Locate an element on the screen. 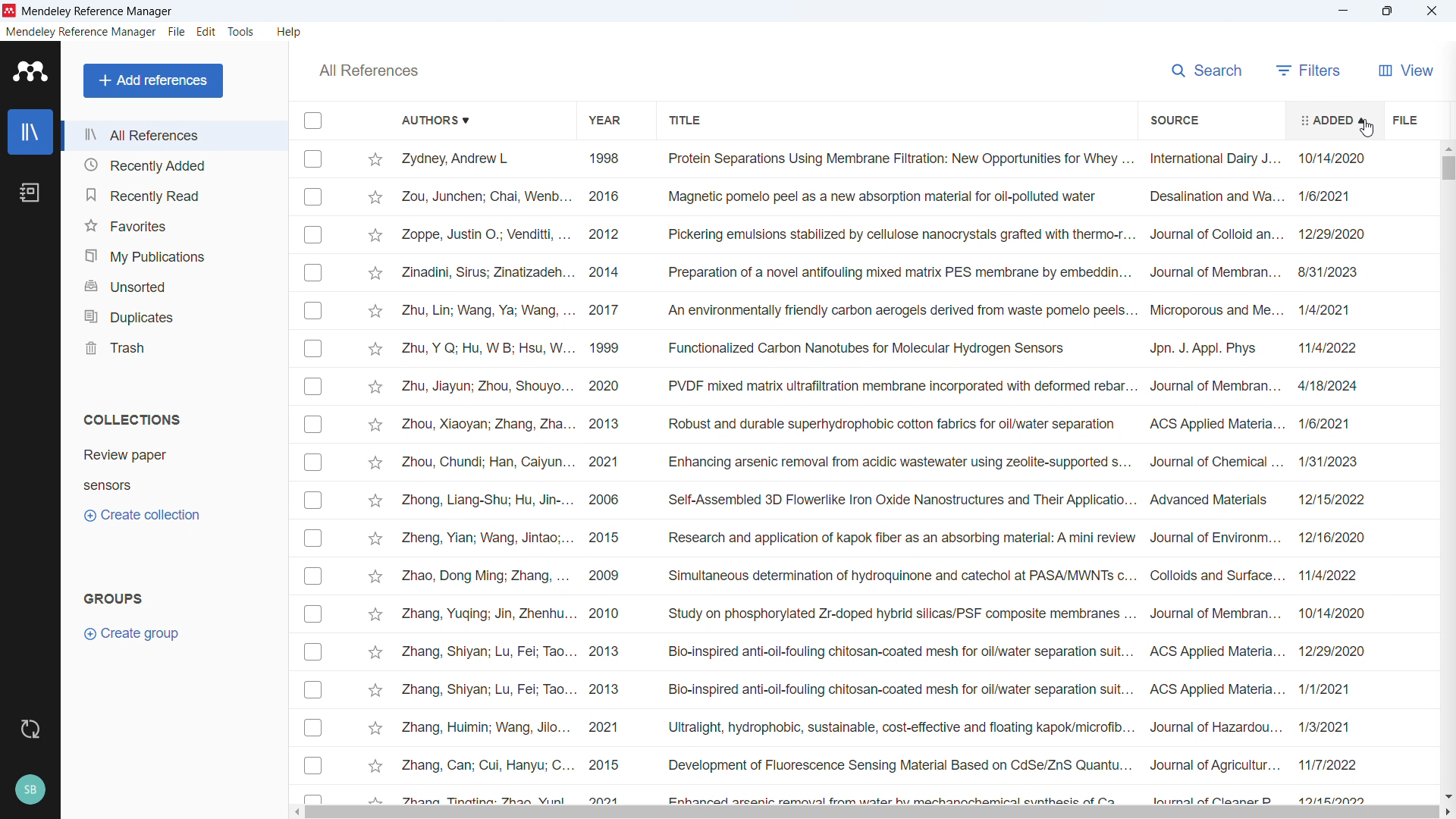 The image size is (1456, 819). Scroll left  is located at coordinates (296, 812).